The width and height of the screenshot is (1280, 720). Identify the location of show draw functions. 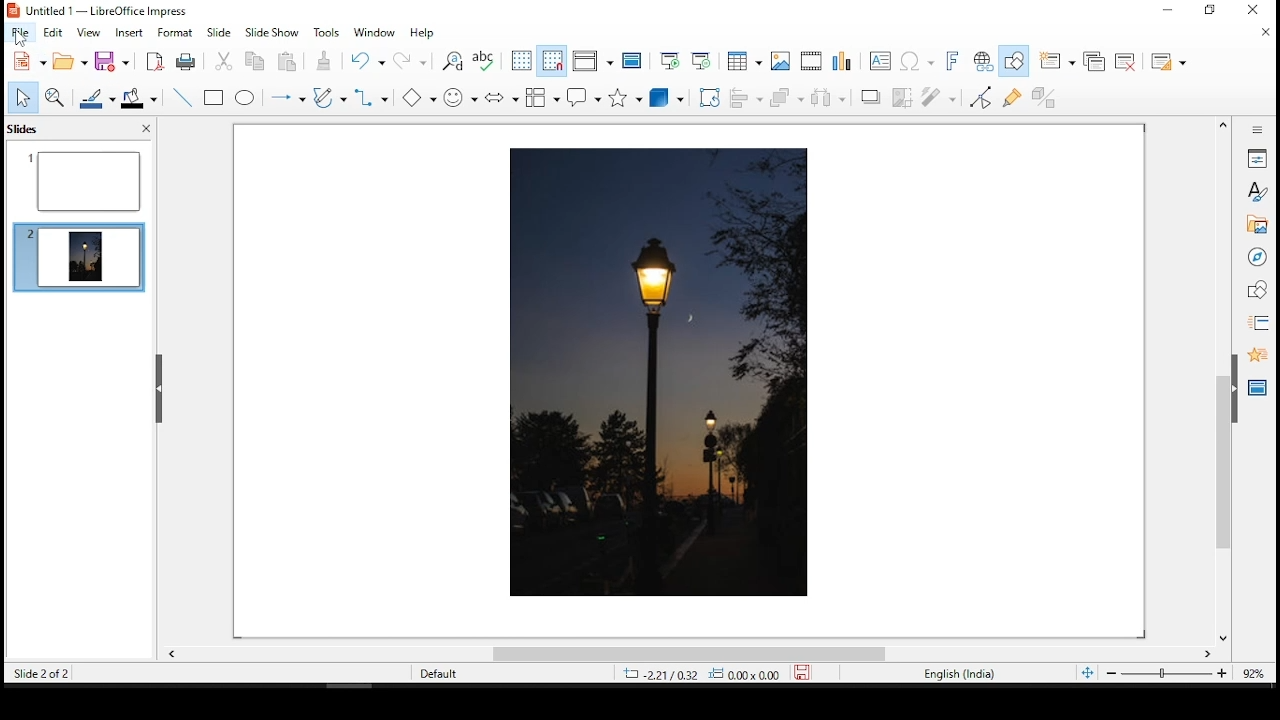
(1011, 61).